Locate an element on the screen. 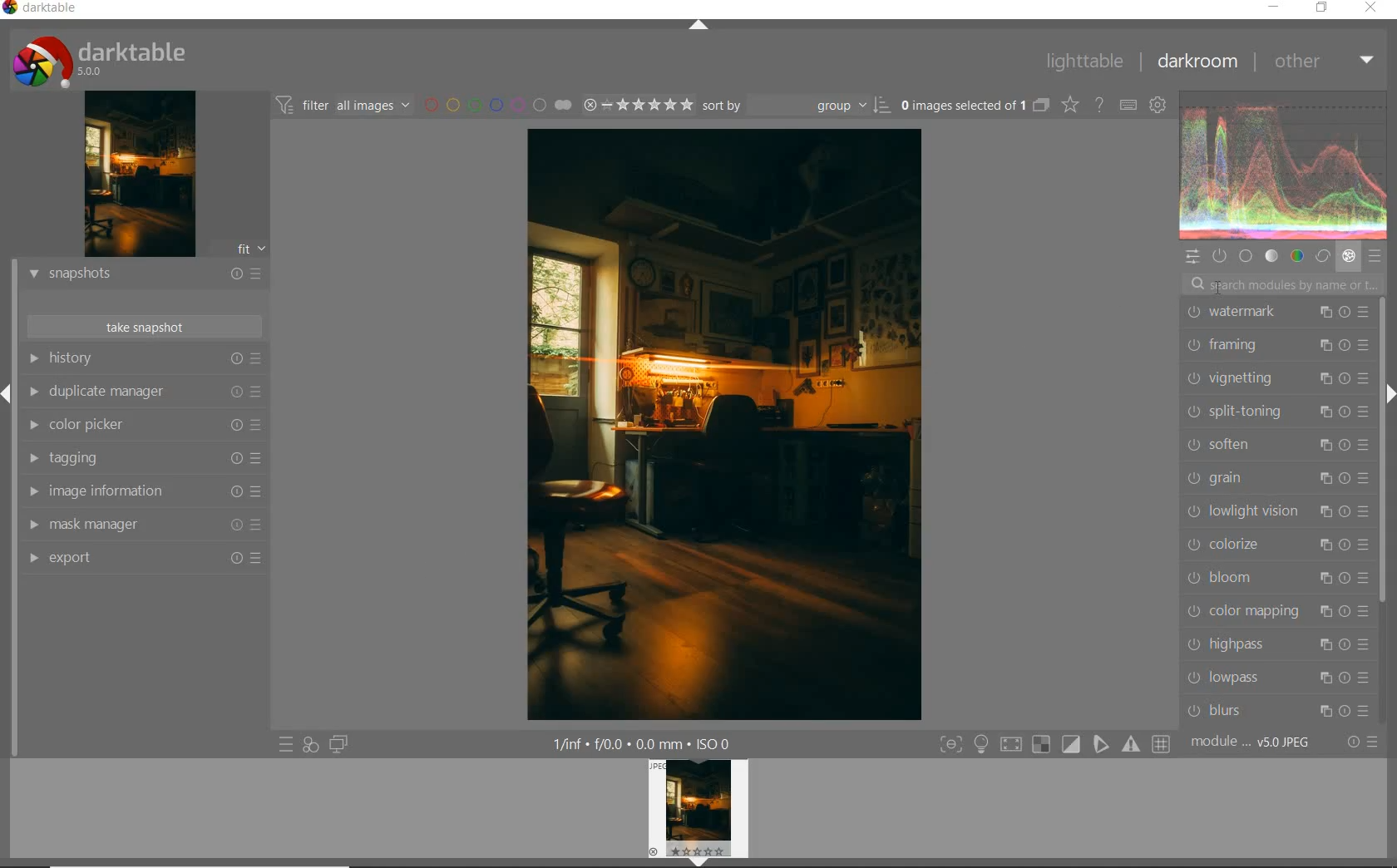  lighttable is located at coordinates (1085, 63).